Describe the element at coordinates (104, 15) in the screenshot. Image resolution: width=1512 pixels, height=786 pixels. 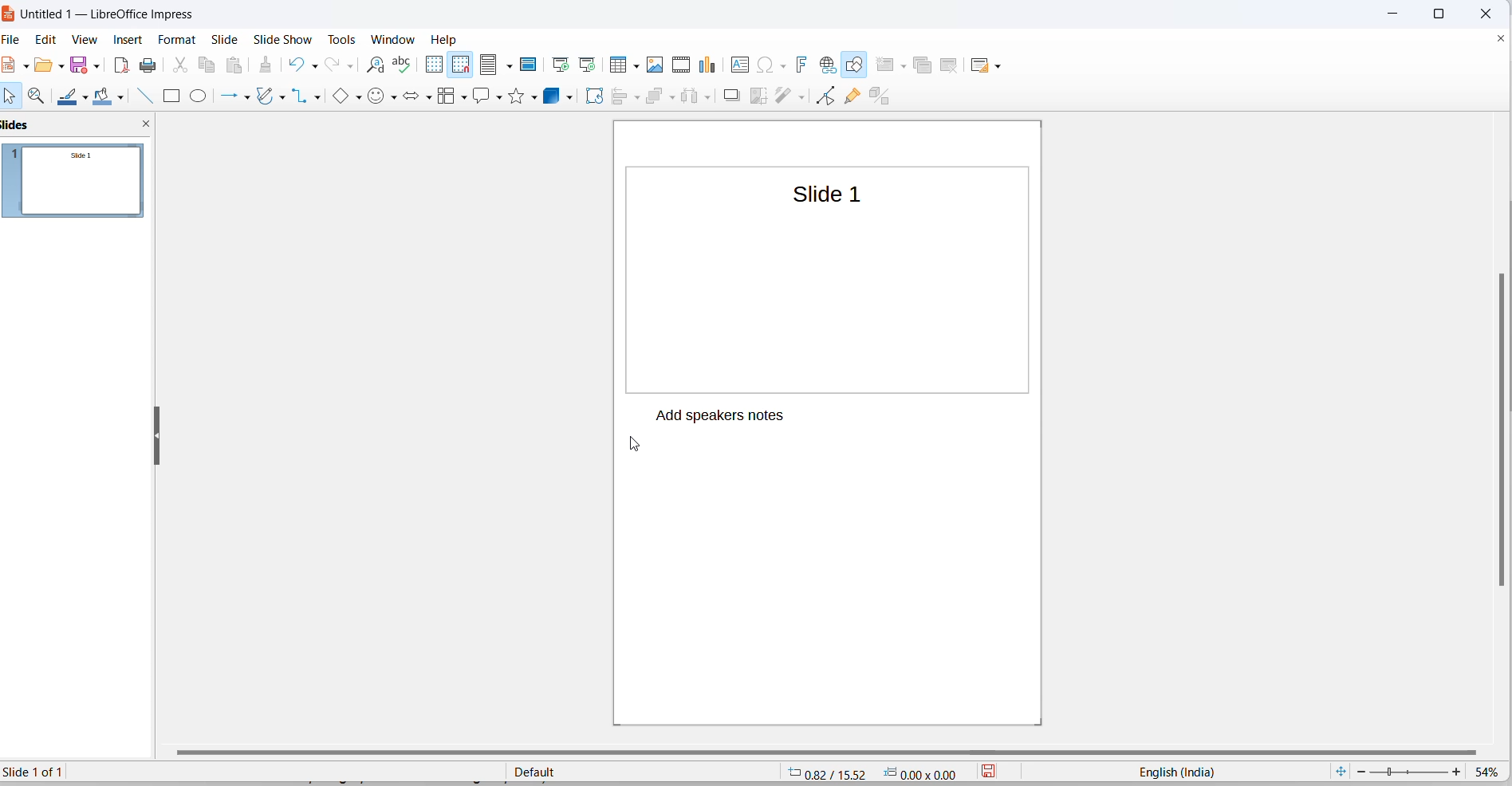
I see `file title` at that location.